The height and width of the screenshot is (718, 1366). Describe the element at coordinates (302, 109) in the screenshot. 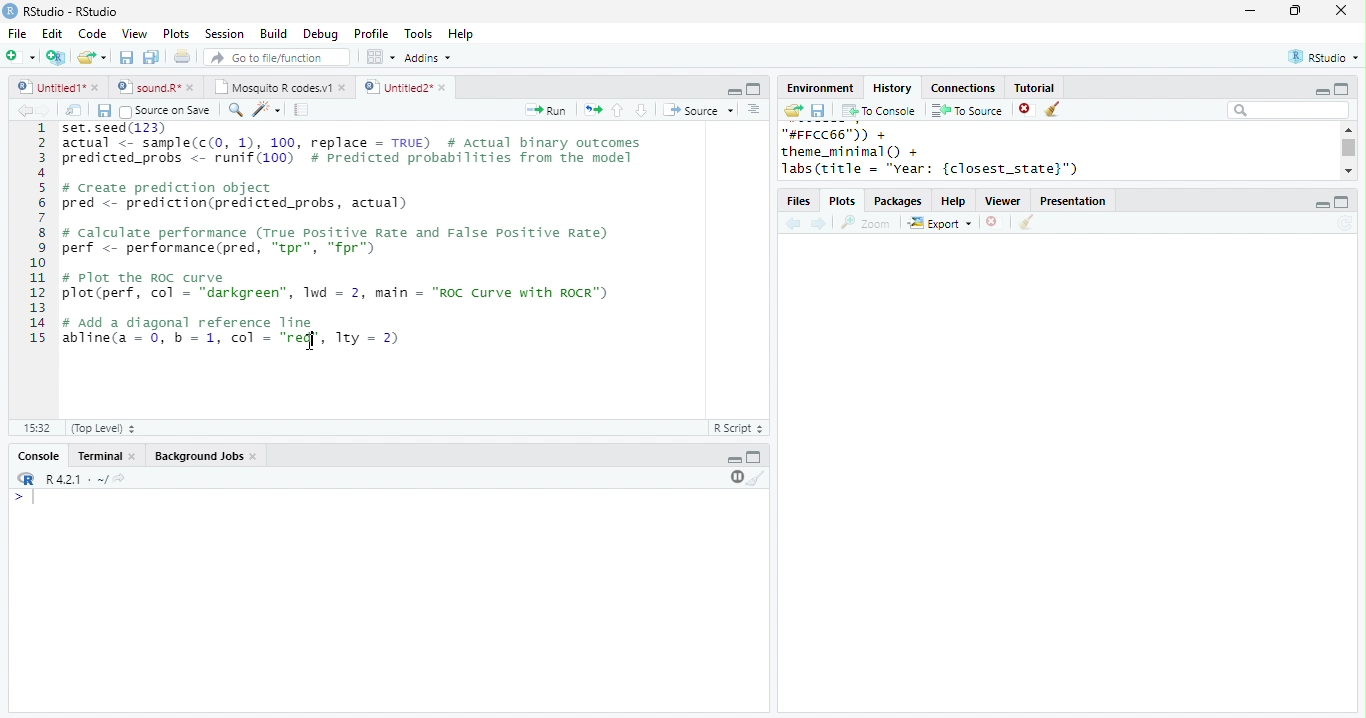

I see `compile report` at that location.